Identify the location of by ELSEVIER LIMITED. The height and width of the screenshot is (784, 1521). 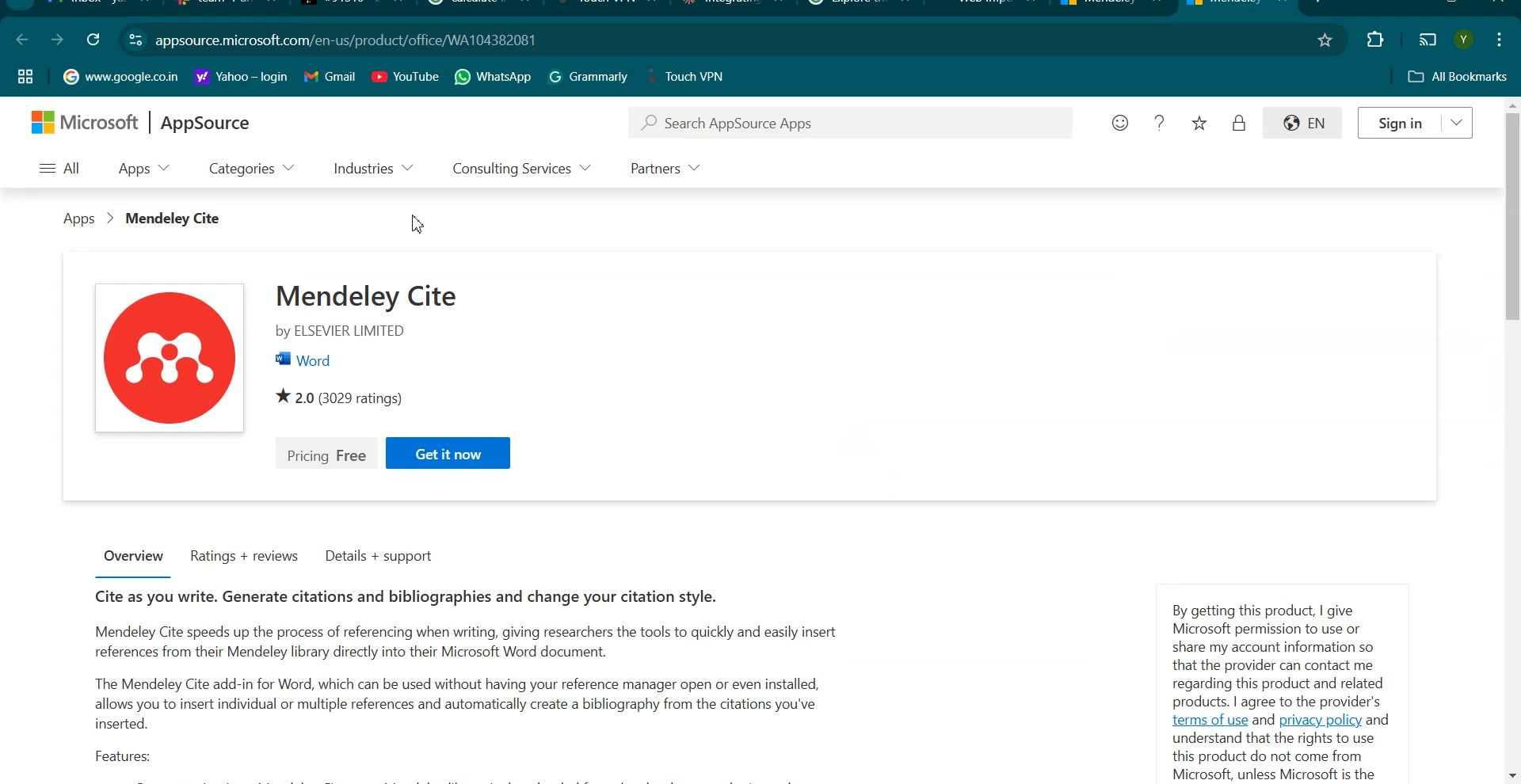
(337, 332).